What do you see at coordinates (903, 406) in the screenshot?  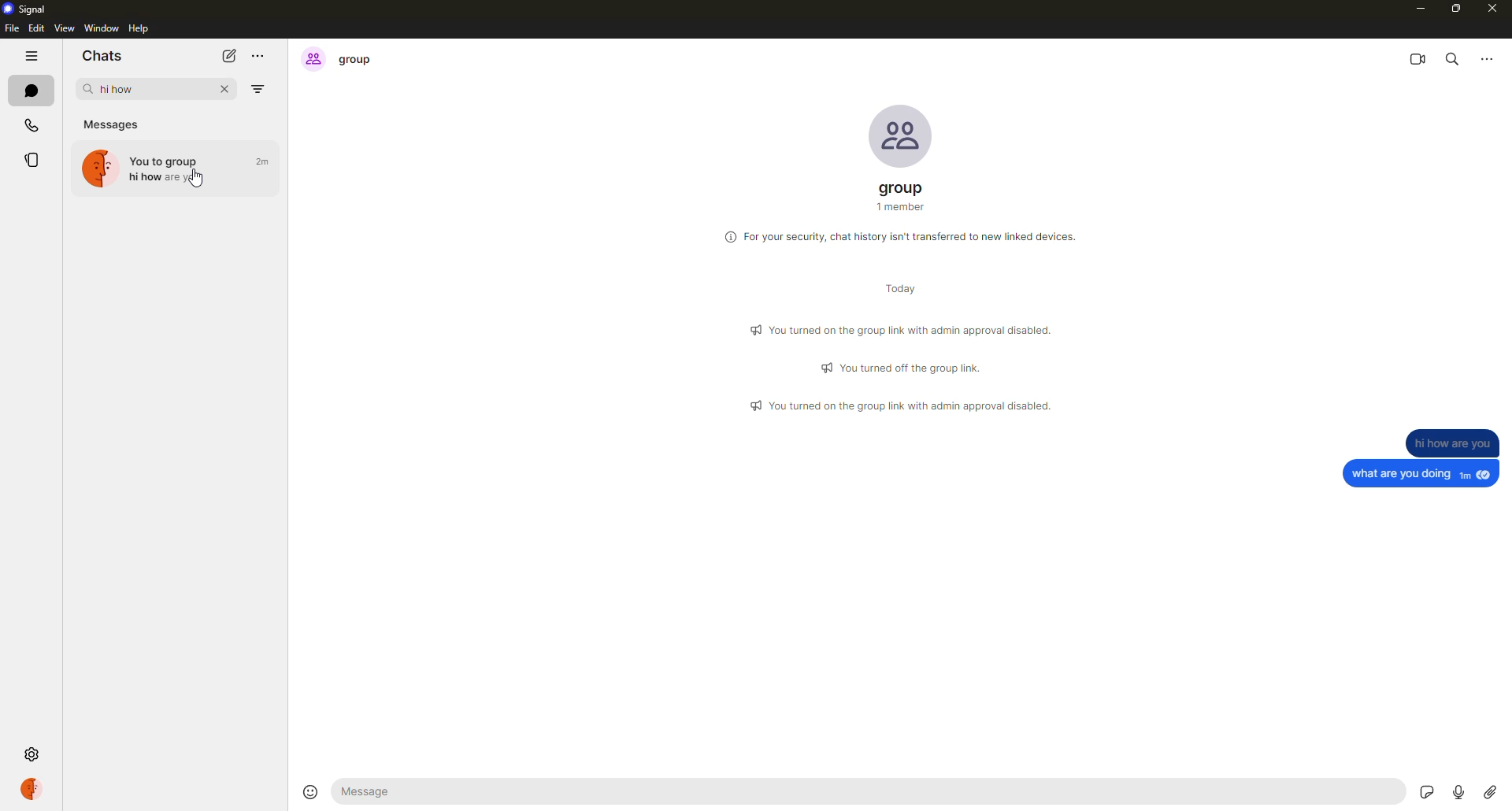 I see `info` at bounding box center [903, 406].